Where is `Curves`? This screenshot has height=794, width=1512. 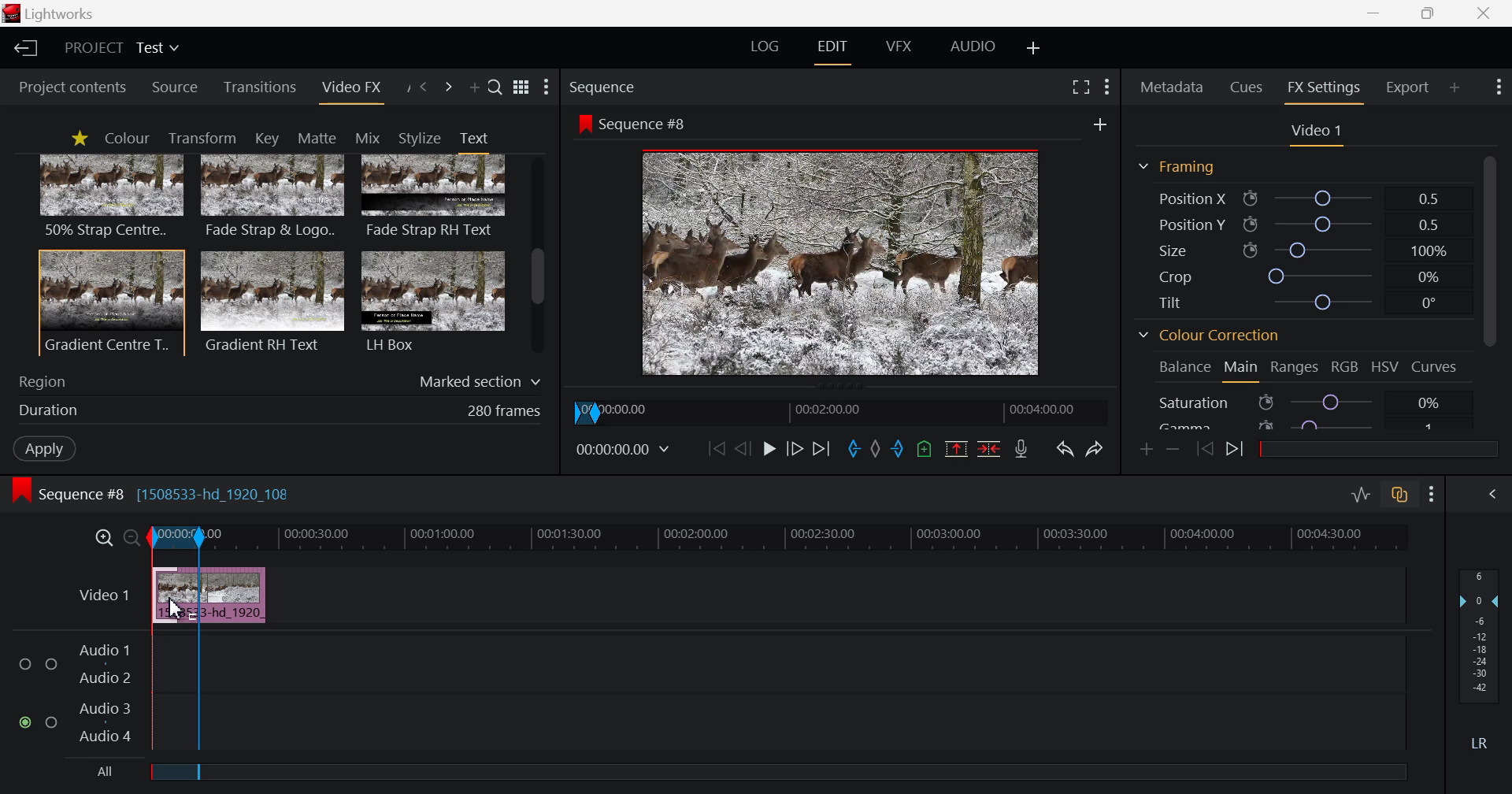
Curves is located at coordinates (1437, 365).